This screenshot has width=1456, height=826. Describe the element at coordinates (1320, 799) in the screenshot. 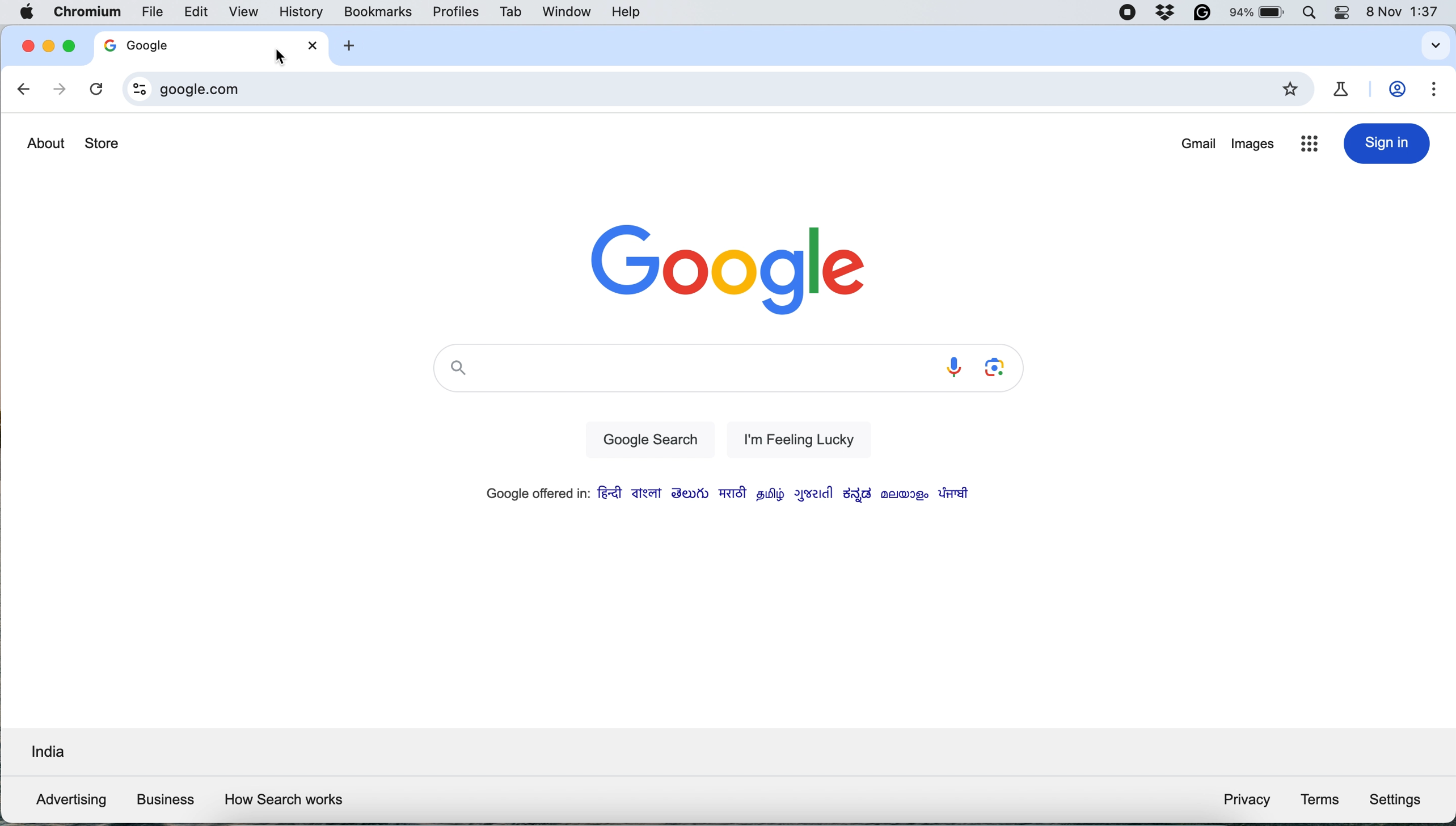

I see `terms` at that location.